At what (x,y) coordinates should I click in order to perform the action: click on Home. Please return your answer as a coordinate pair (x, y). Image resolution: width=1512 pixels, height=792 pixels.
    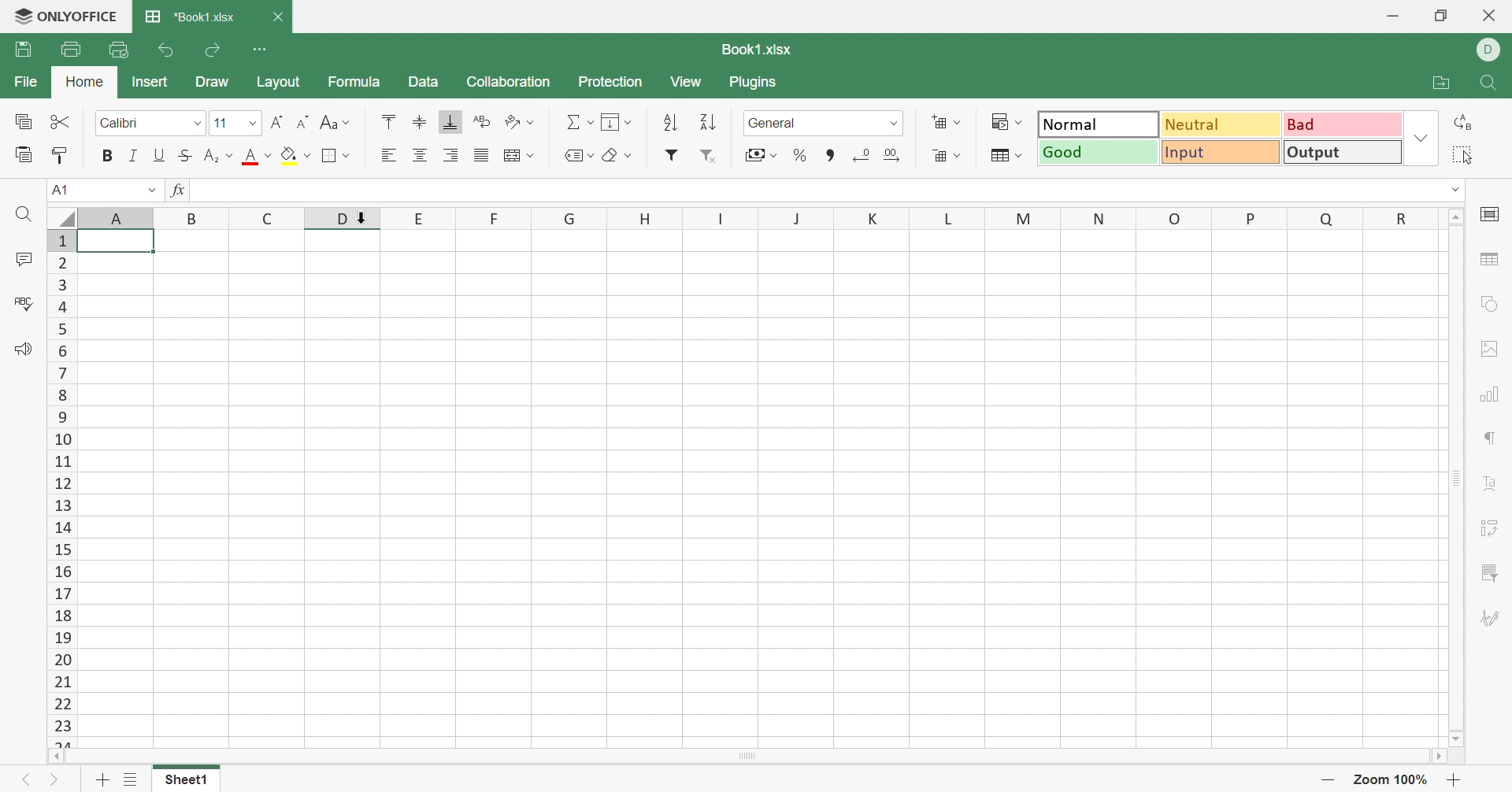
    Looking at the image, I should click on (86, 80).